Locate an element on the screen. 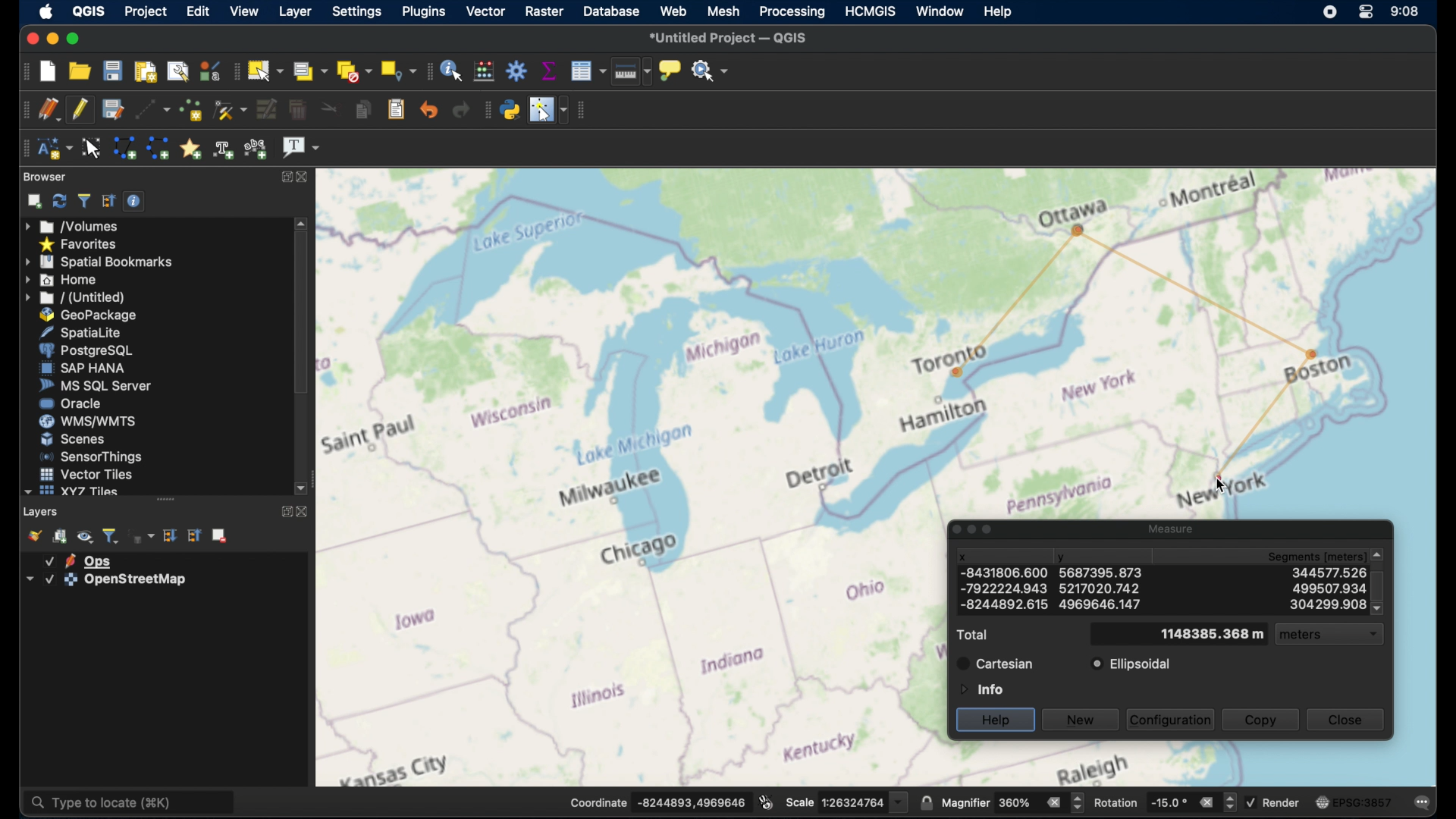 The height and width of the screenshot is (819, 1456). save layer edits is located at coordinates (111, 108).